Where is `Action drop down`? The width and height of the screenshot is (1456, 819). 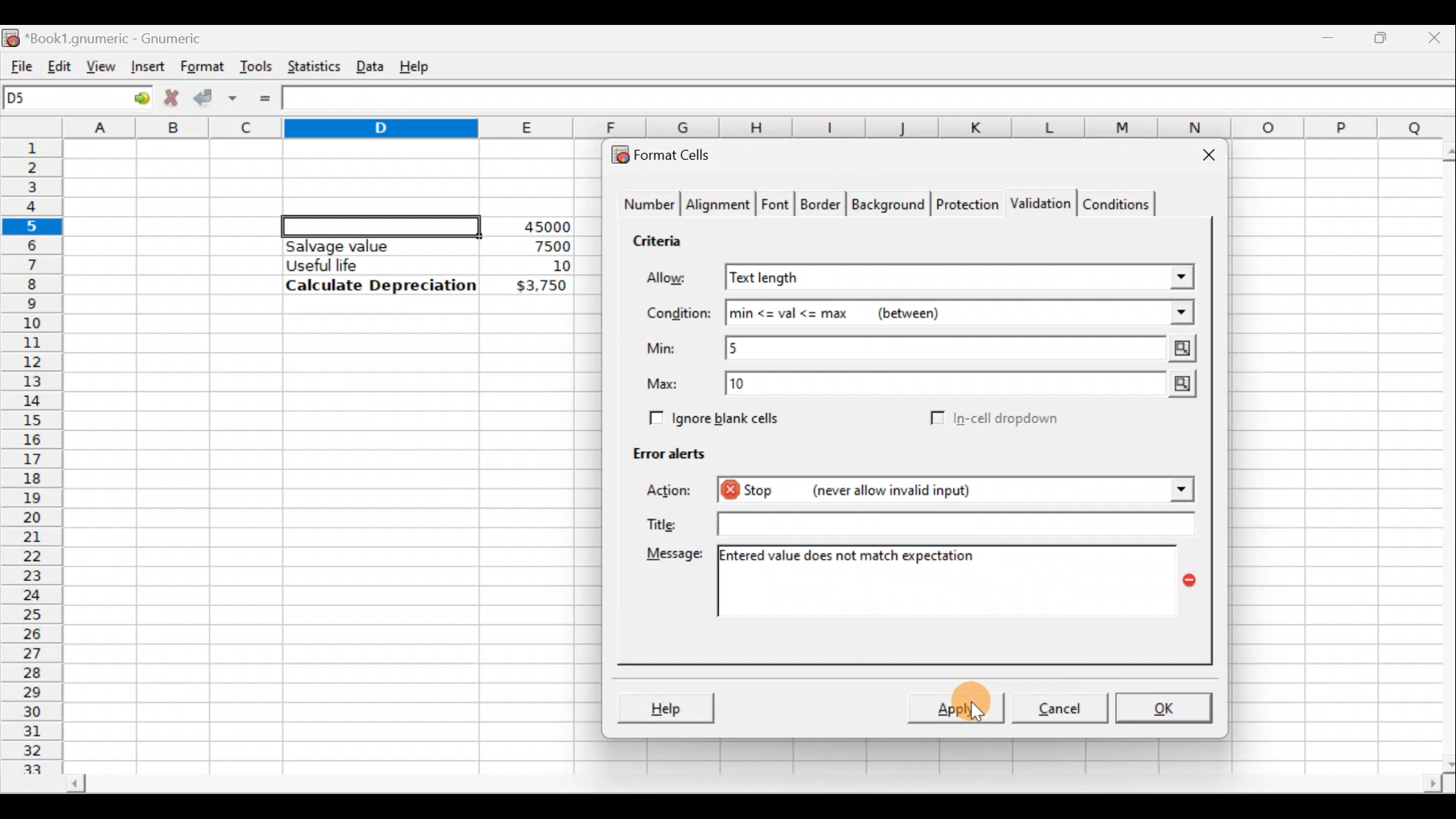 Action drop down is located at coordinates (1169, 490).